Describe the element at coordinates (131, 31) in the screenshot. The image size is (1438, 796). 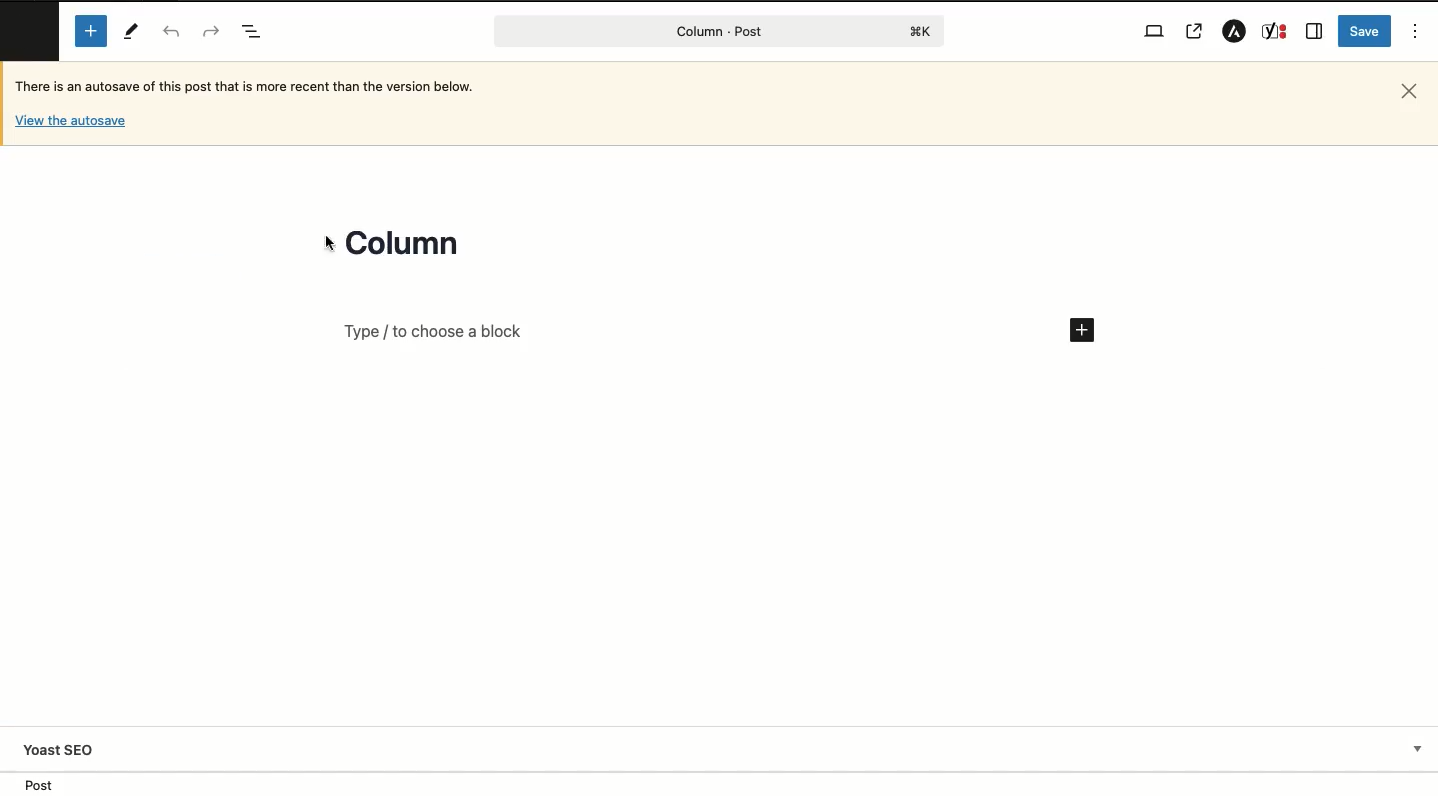
I see `` at that location.